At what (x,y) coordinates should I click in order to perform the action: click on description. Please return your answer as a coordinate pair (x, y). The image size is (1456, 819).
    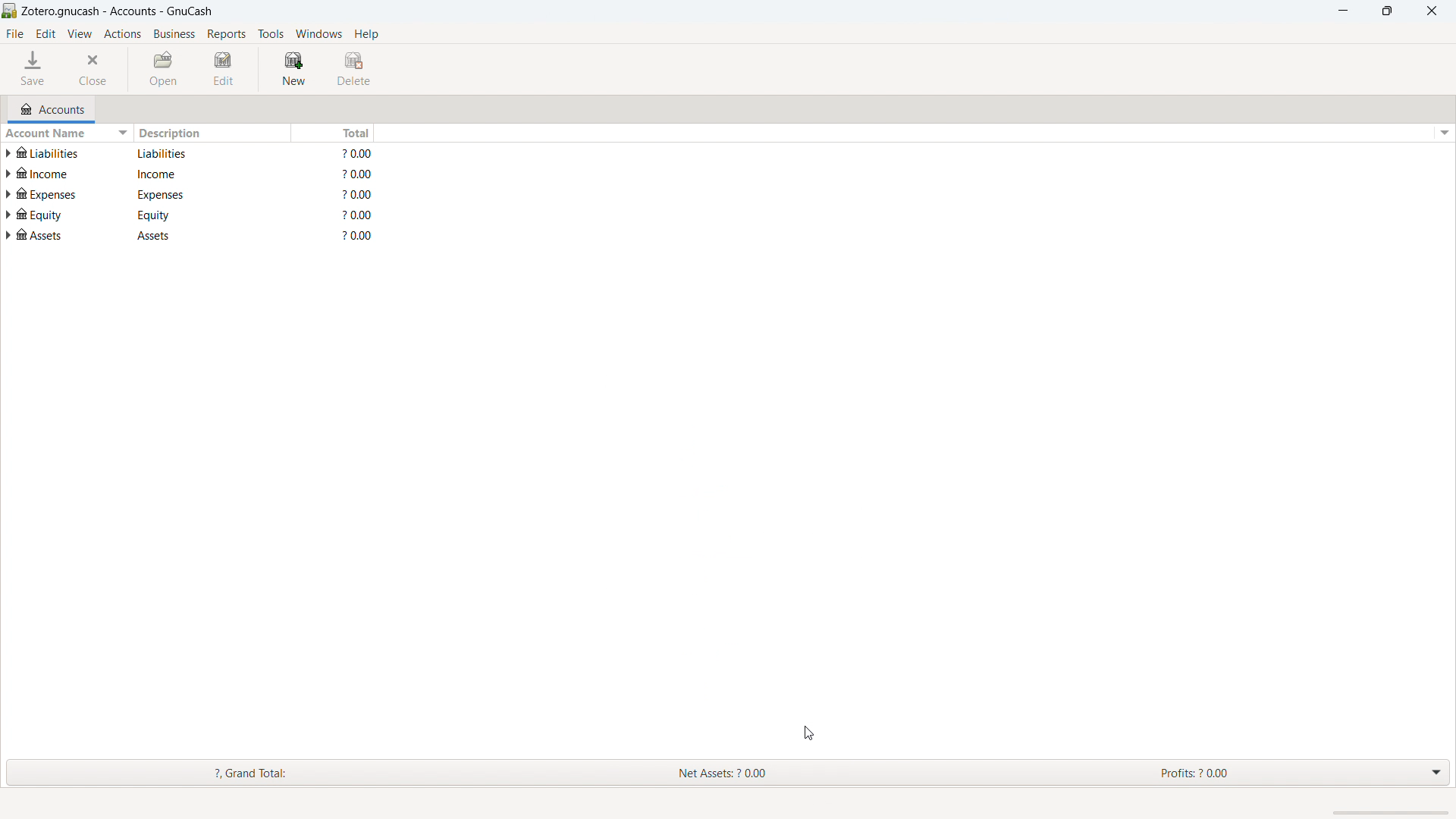
    Looking at the image, I should click on (171, 237).